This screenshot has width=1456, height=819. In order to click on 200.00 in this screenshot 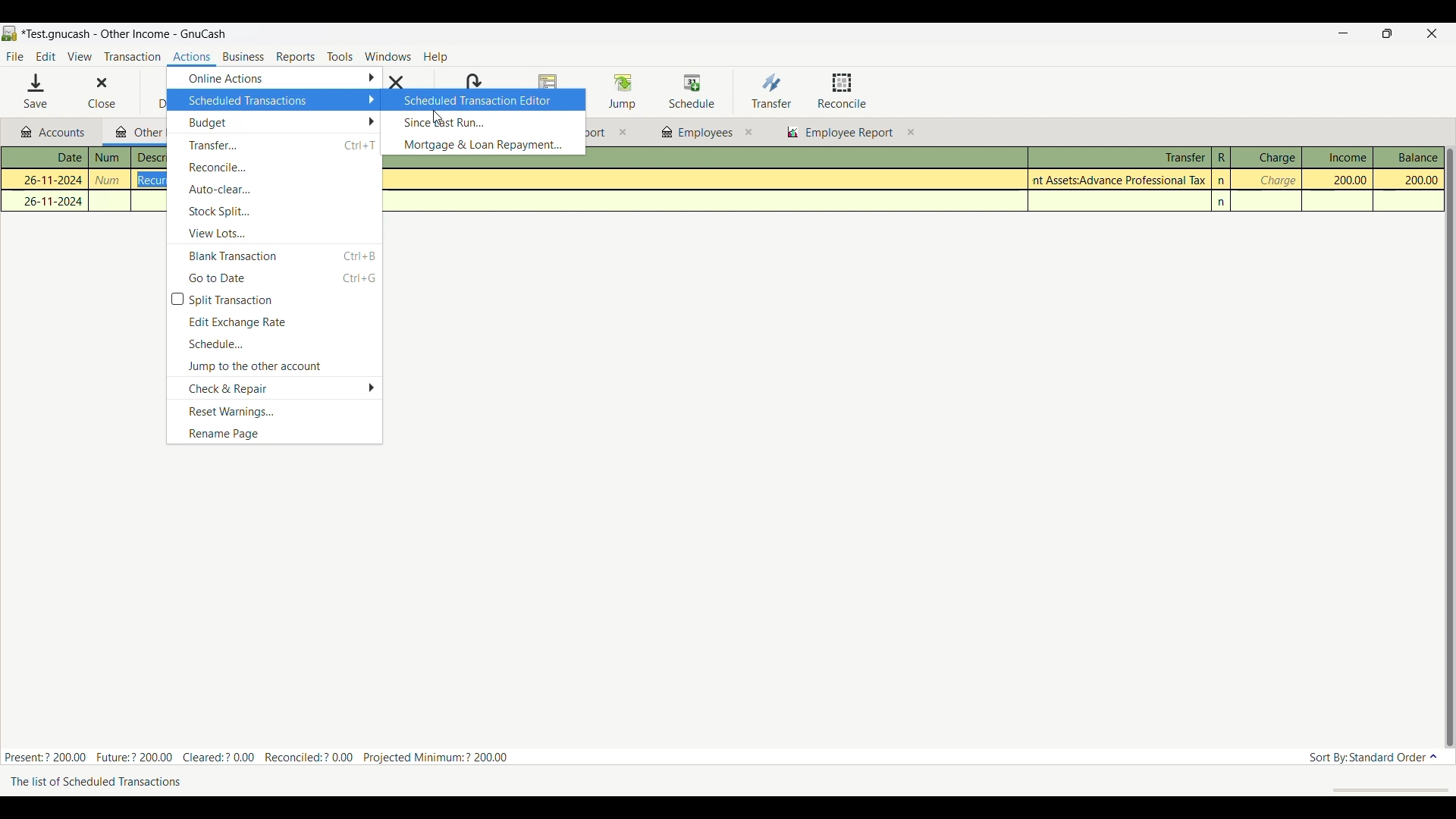, I will do `click(1409, 180)`.